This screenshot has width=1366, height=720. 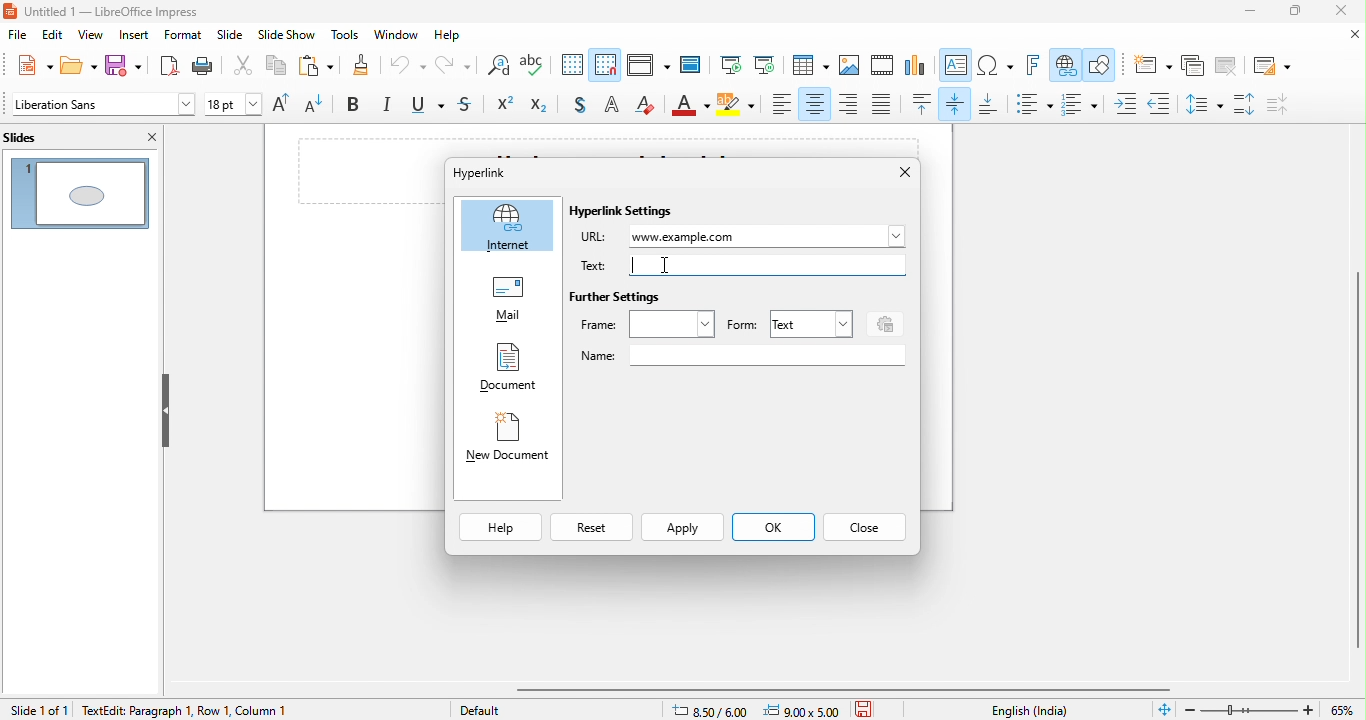 I want to click on frame, so click(x=648, y=324).